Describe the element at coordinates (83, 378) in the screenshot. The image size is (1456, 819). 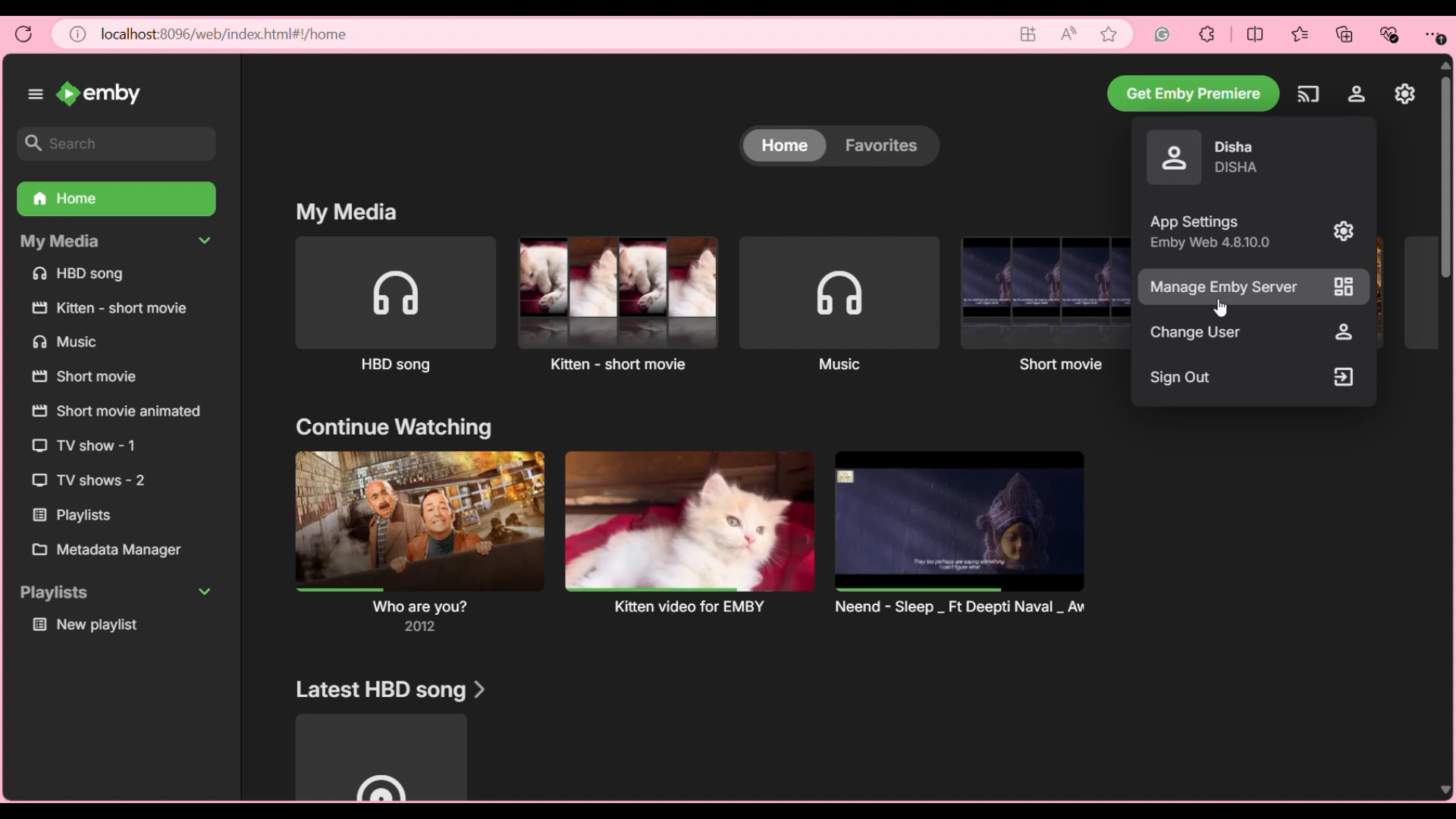
I see `short movie` at that location.